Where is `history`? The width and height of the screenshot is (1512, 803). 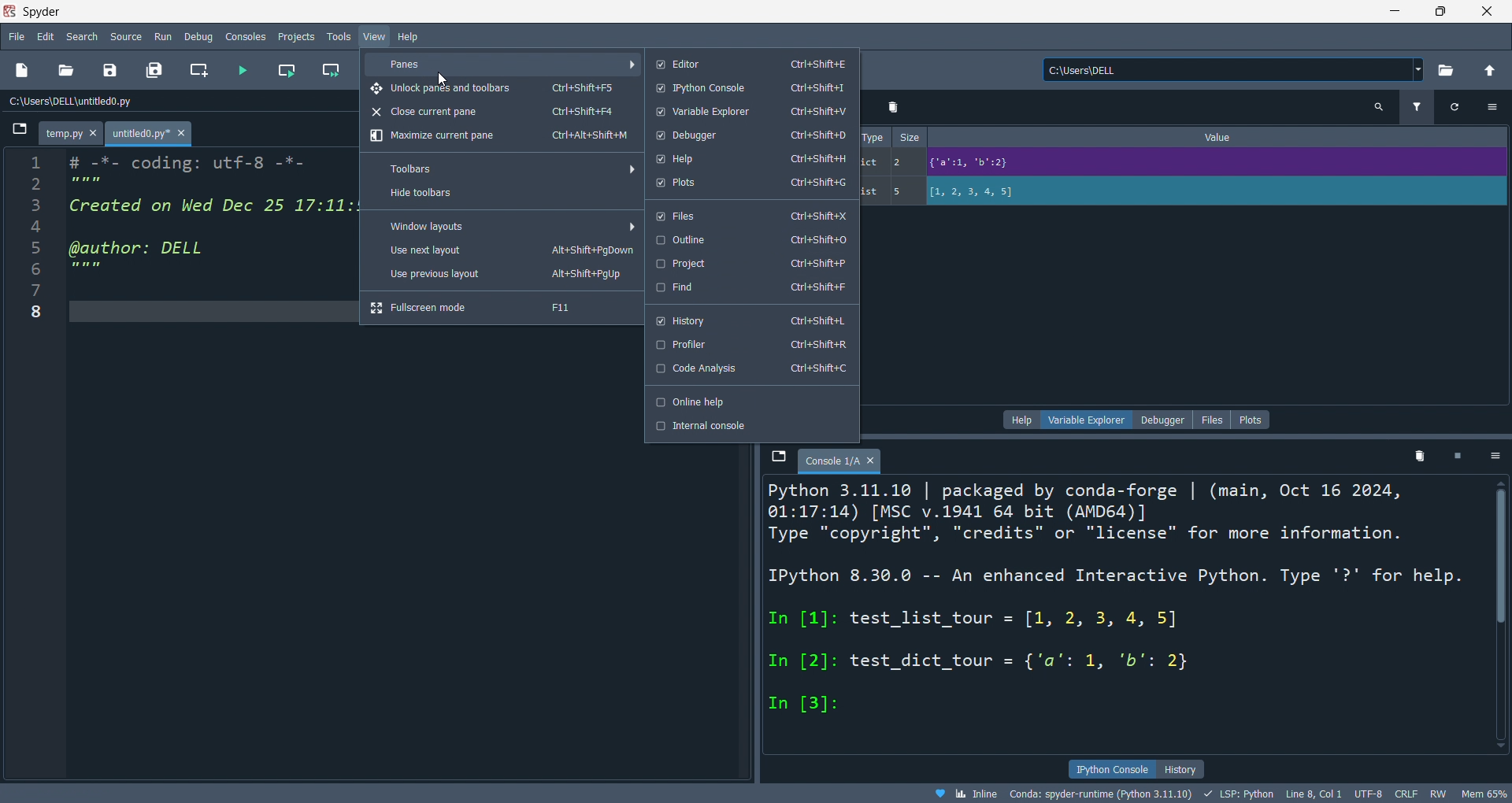
history is located at coordinates (750, 319).